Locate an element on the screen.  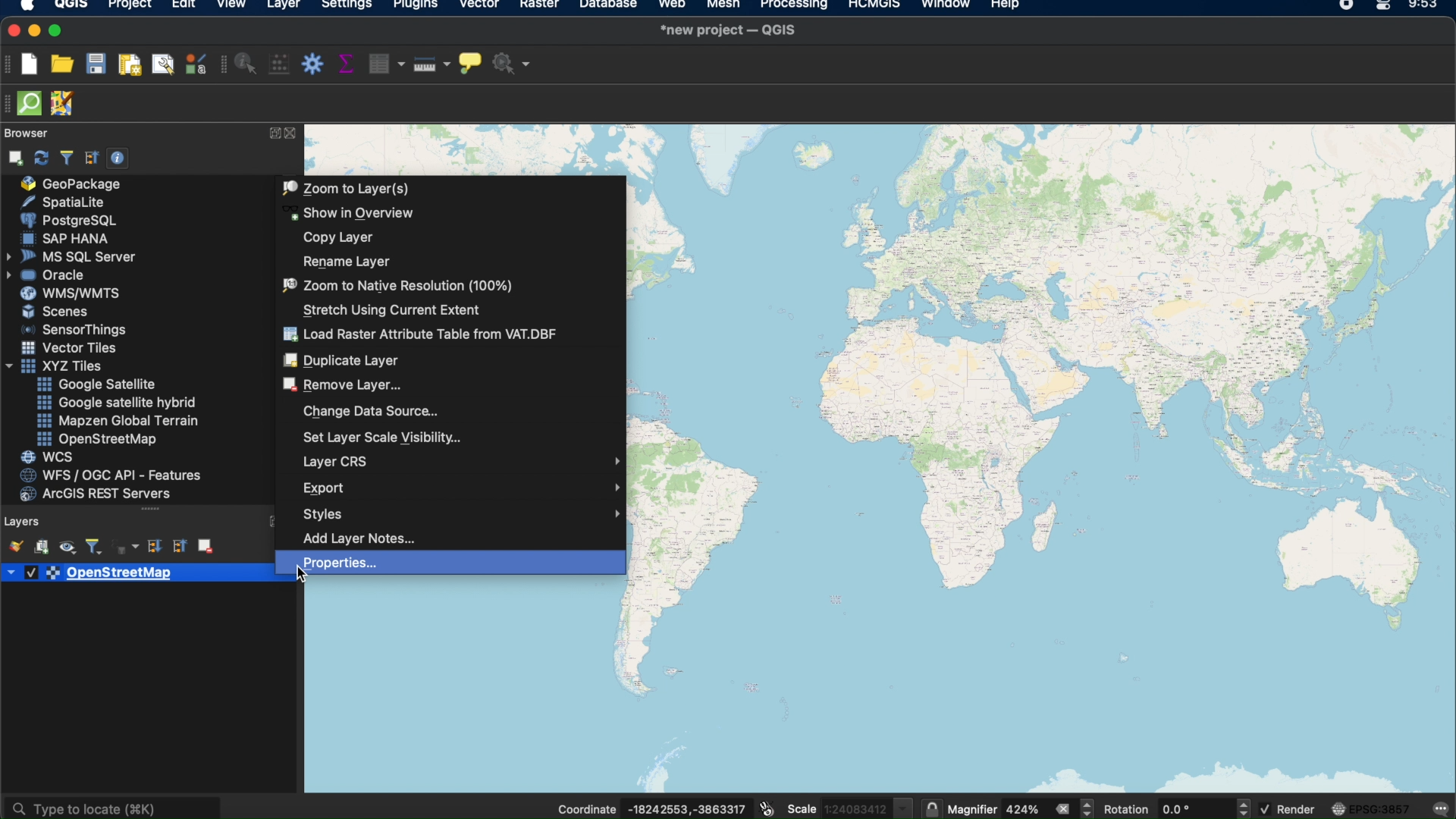
manage map themes is located at coordinates (66, 548).